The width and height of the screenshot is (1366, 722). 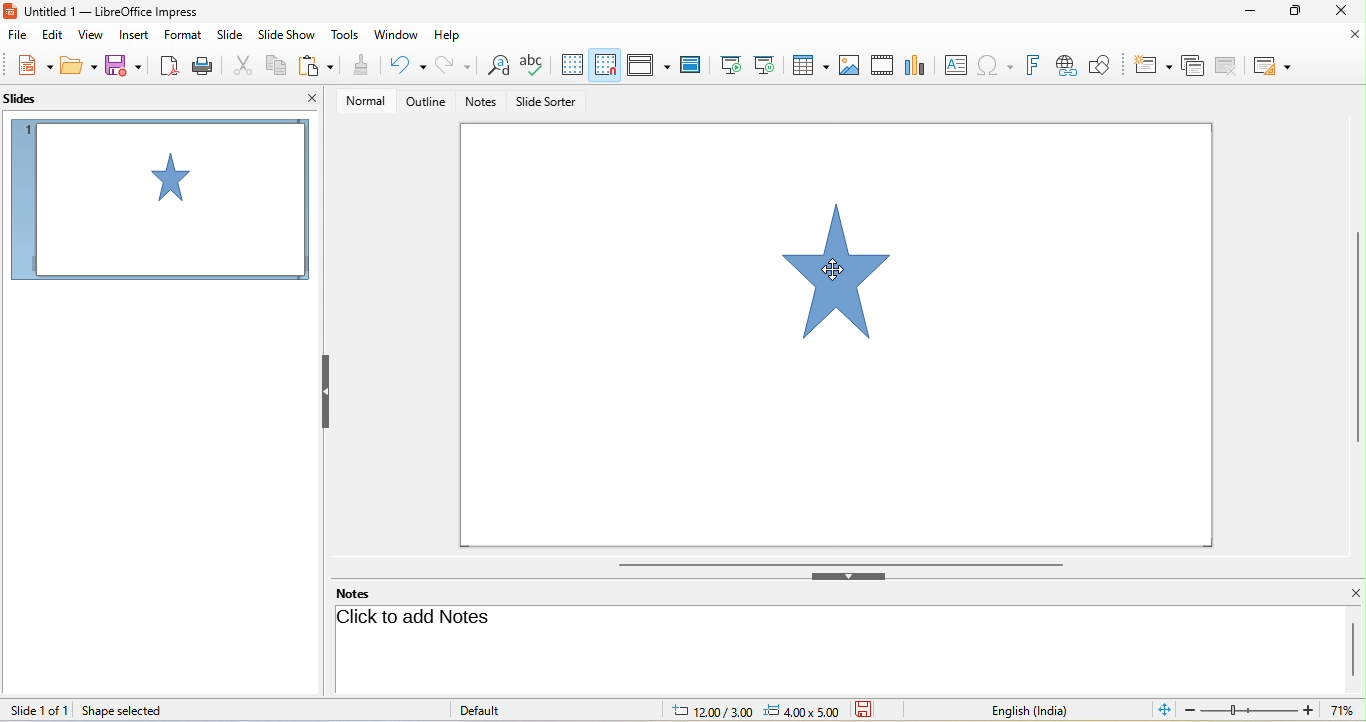 I want to click on insert, so click(x=132, y=36).